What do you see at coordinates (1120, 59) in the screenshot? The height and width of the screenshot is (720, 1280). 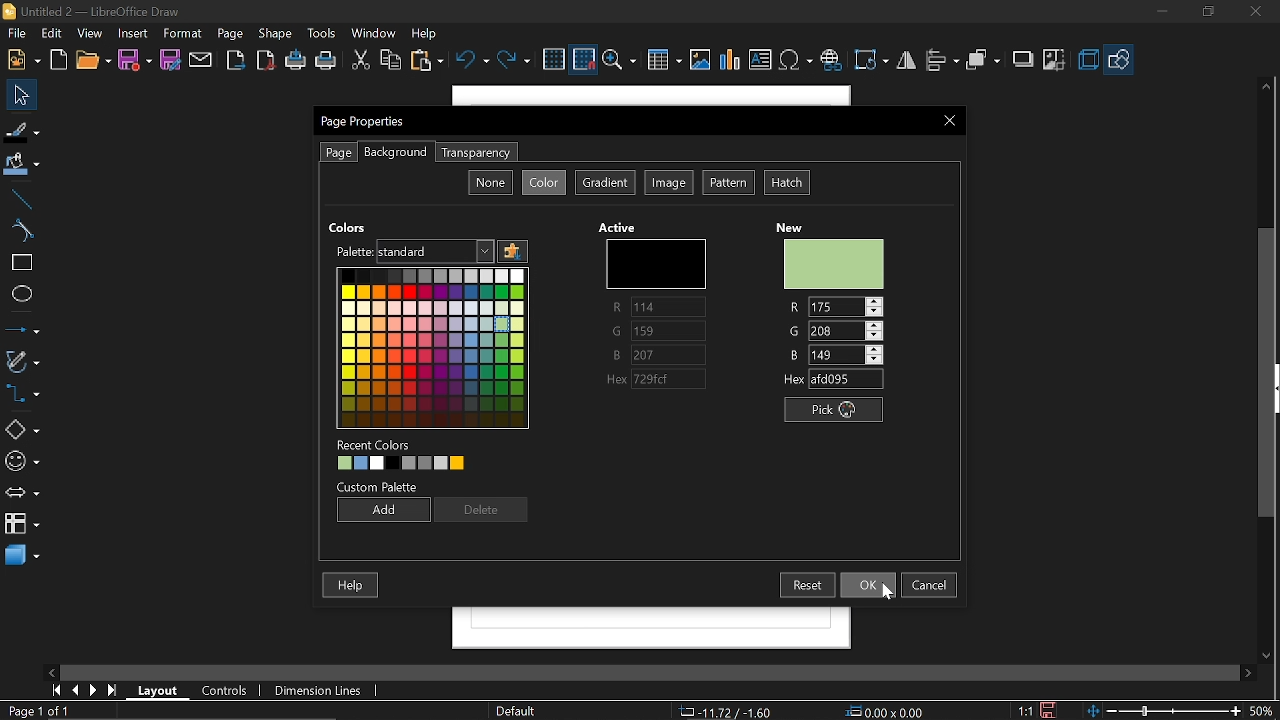 I see `Basic hapes` at bounding box center [1120, 59].